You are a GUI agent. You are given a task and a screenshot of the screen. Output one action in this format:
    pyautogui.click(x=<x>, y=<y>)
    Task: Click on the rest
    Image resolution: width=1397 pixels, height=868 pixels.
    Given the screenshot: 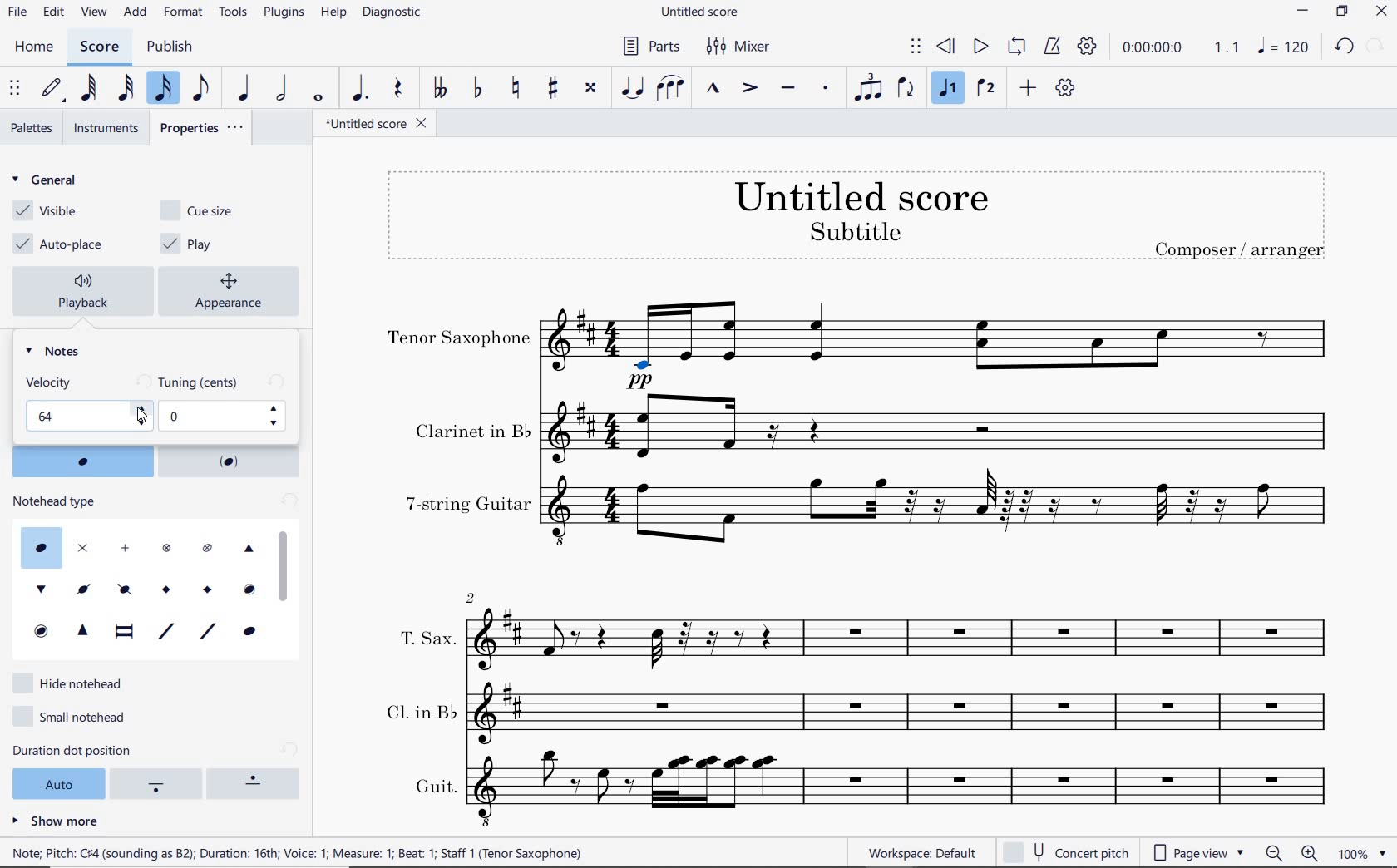 What is the action you would take?
    pyautogui.click(x=400, y=89)
    